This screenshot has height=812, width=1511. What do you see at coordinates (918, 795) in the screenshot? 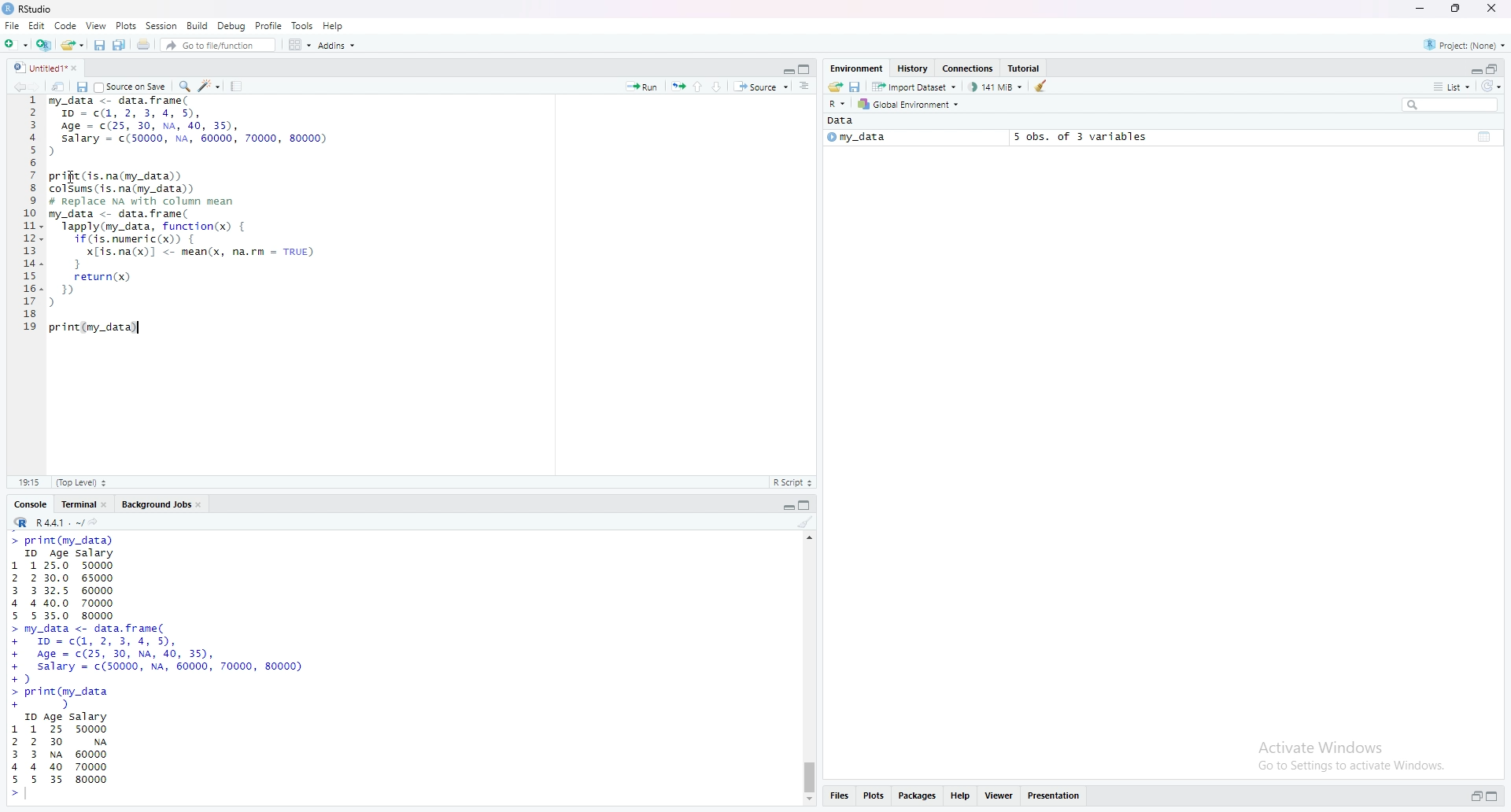
I see `packages` at bounding box center [918, 795].